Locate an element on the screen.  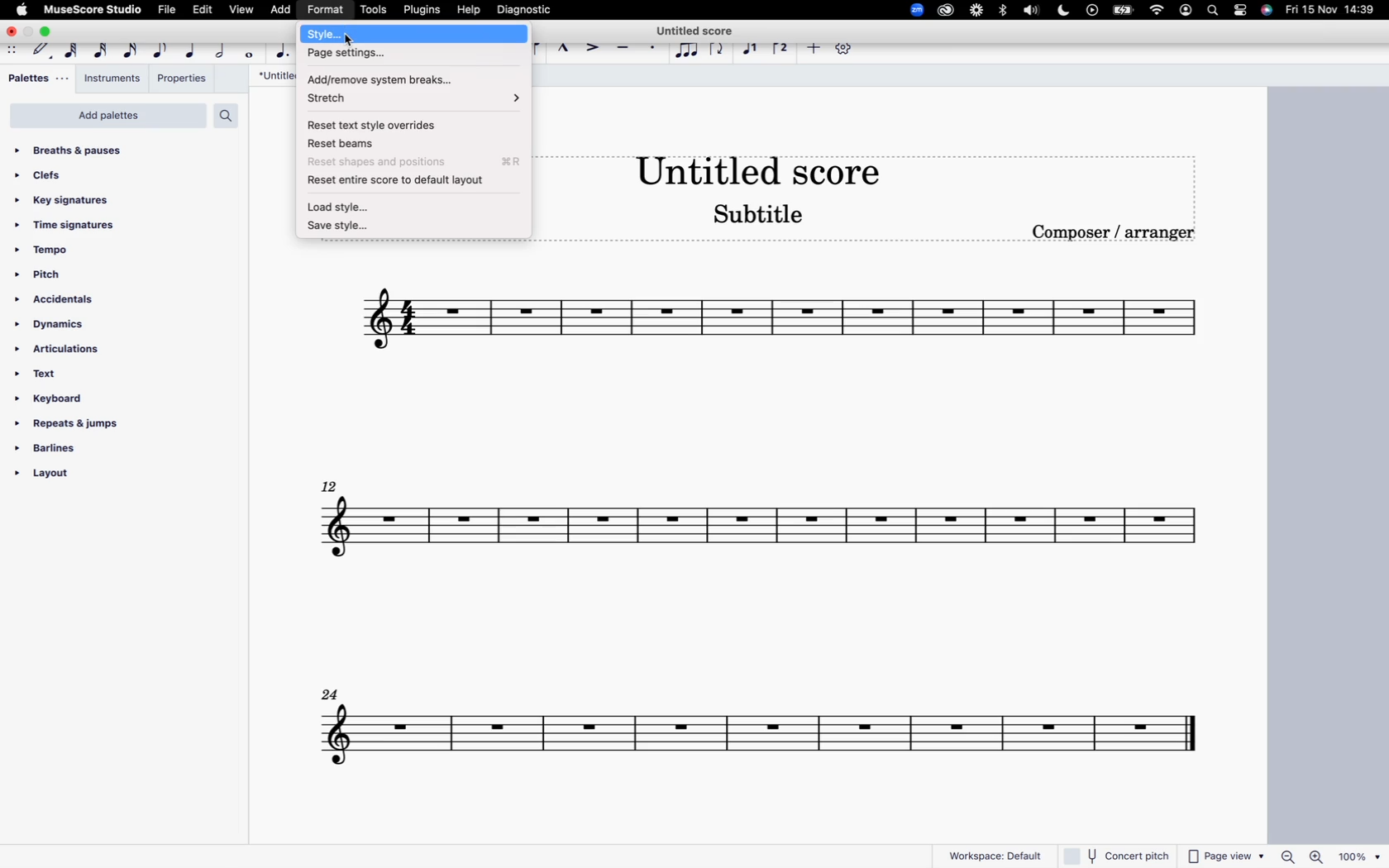
staccato is located at coordinates (652, 53).